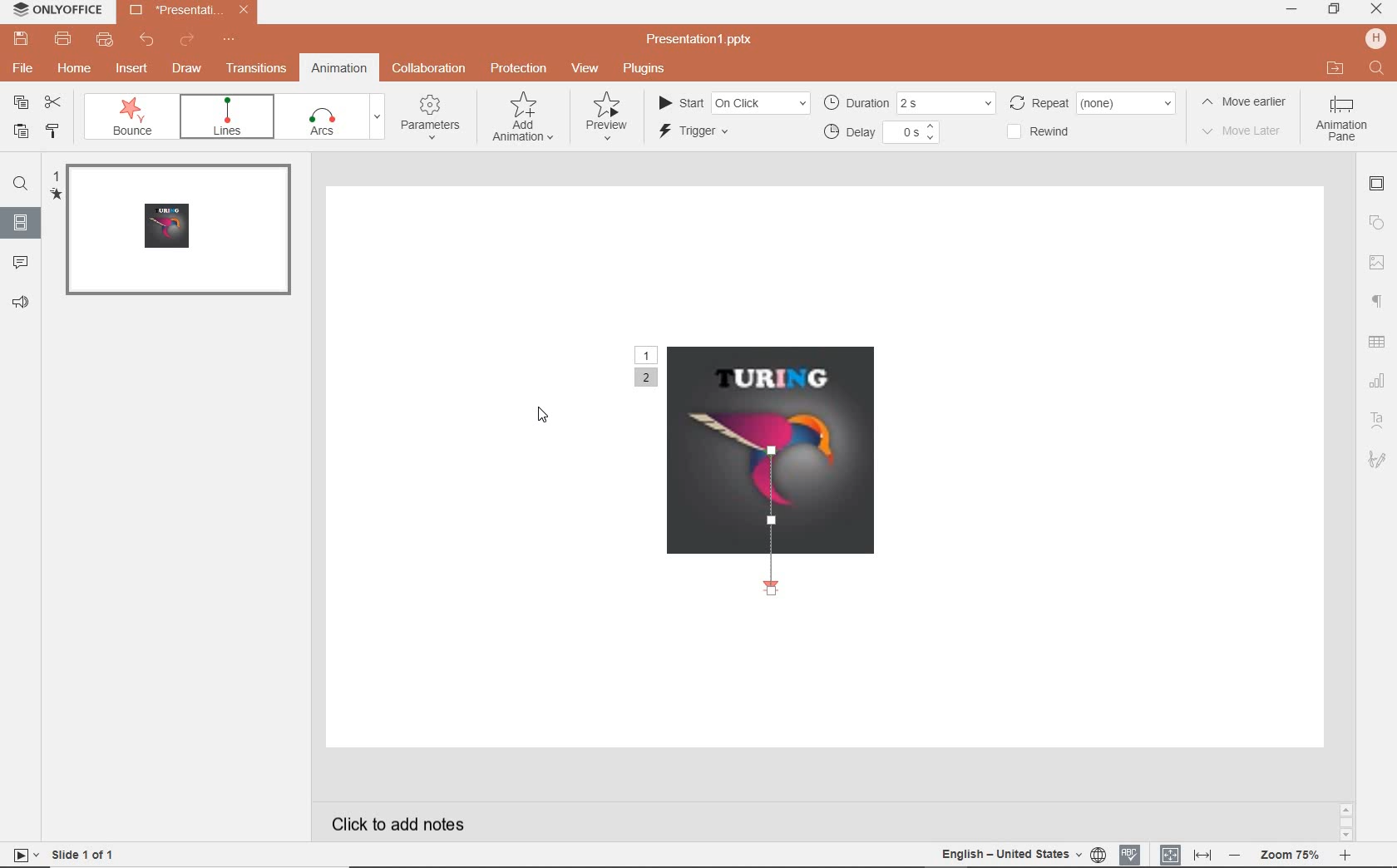  Describe the element at coordinates (1130, 855) in the screenshot. I see `spell checking` at that location.